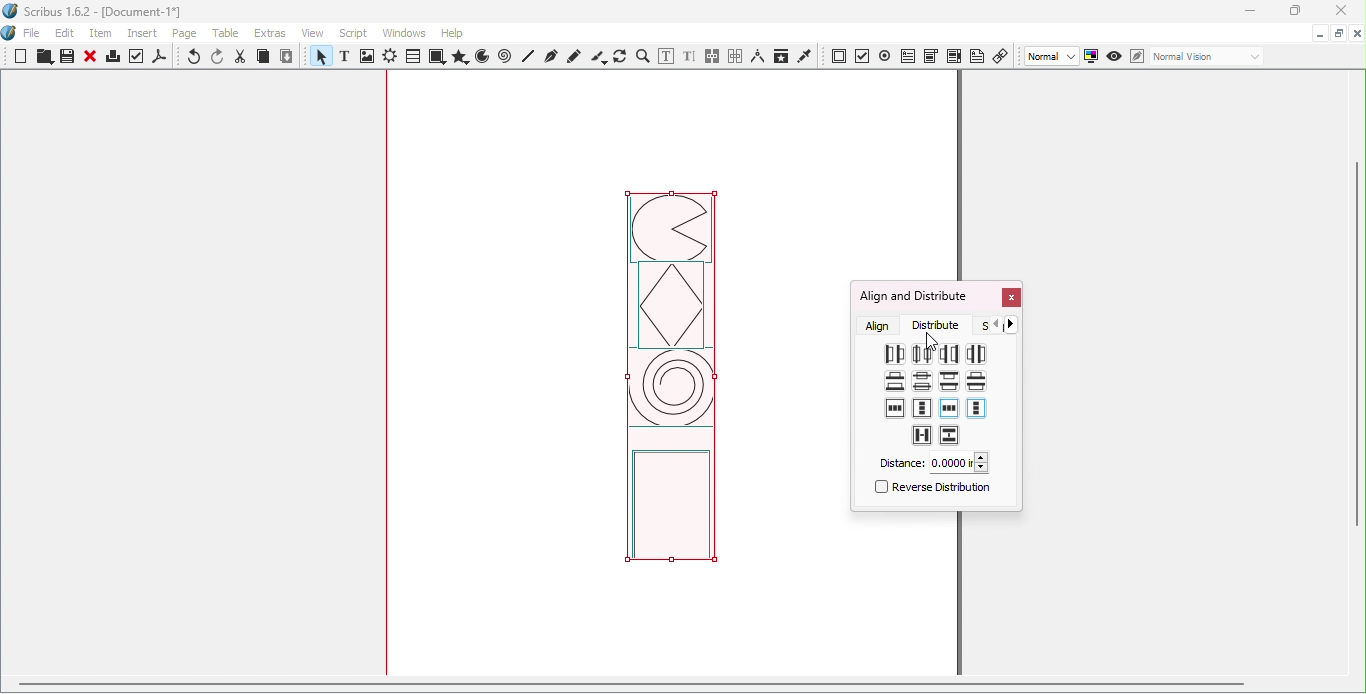 The height and width of the screenshot is (694, 1366). I want to click on Copy, so click(263, 58).